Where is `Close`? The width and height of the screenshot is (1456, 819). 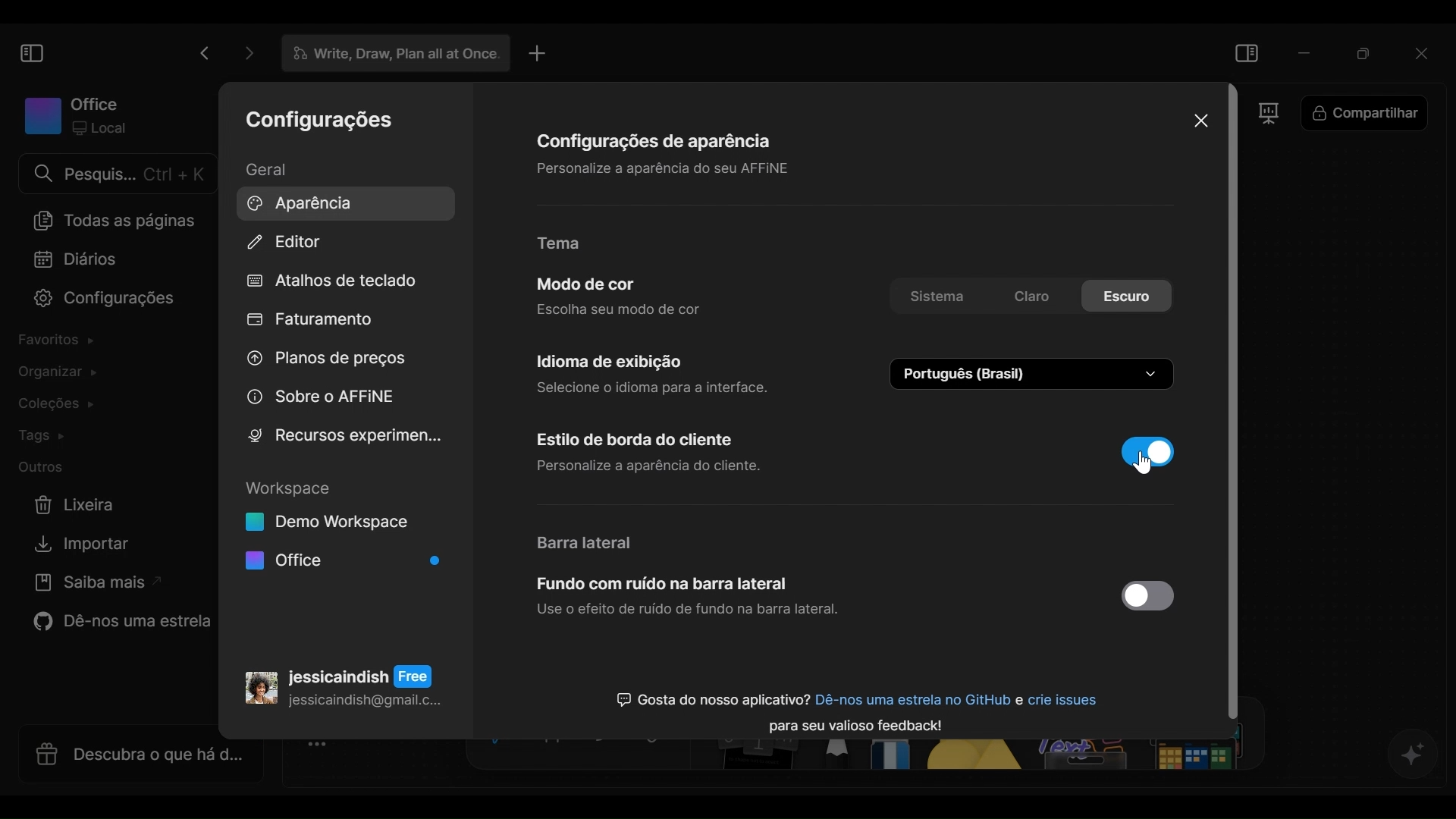
Close is located at coordinates (1425, 51).